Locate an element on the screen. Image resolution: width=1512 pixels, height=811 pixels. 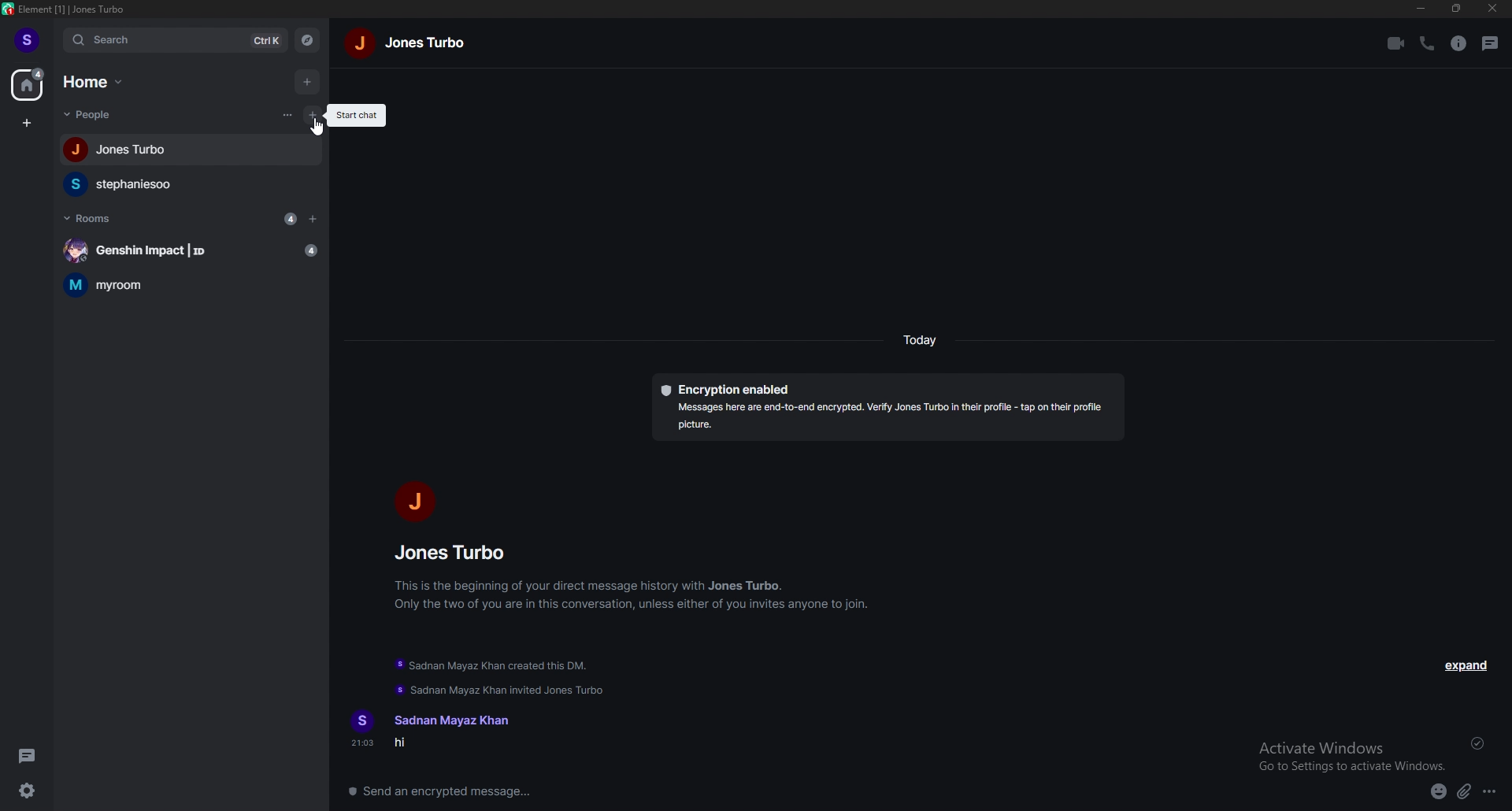
threads is located at coordinates (29, 754).